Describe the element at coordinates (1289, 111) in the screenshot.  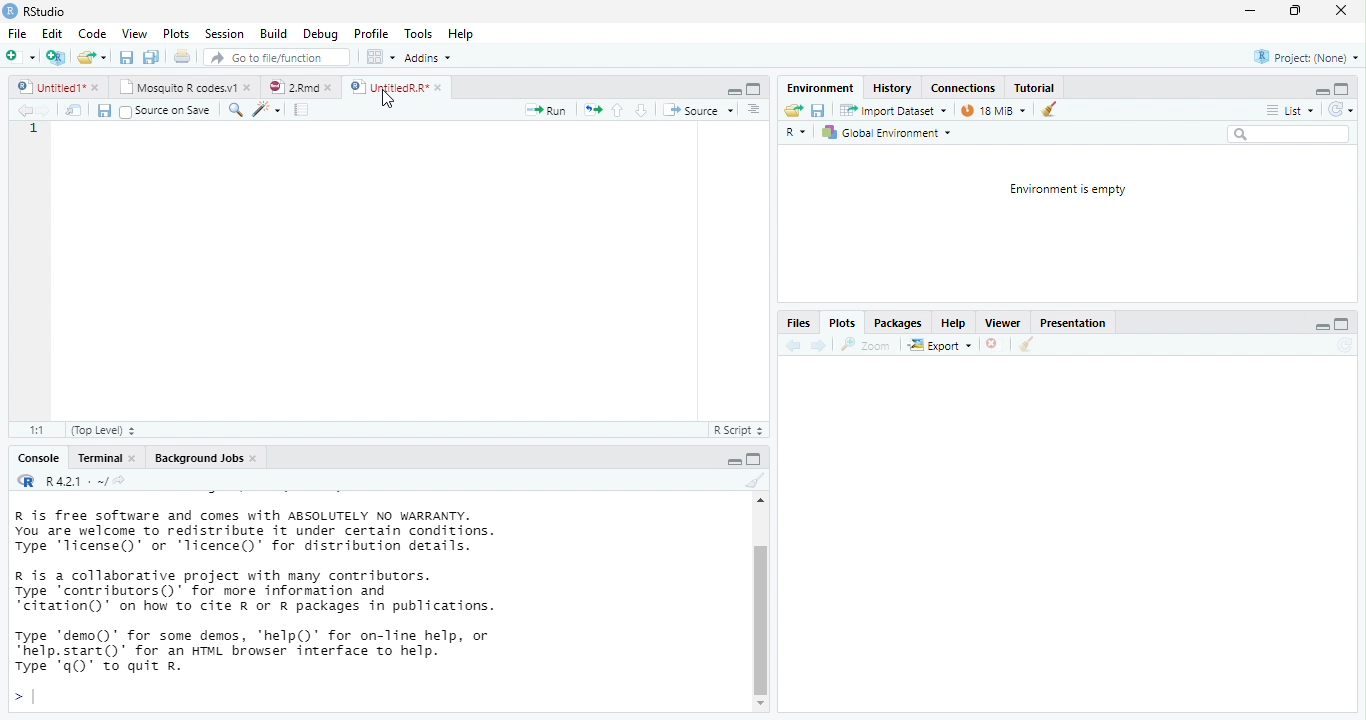
I see `List` at that location.